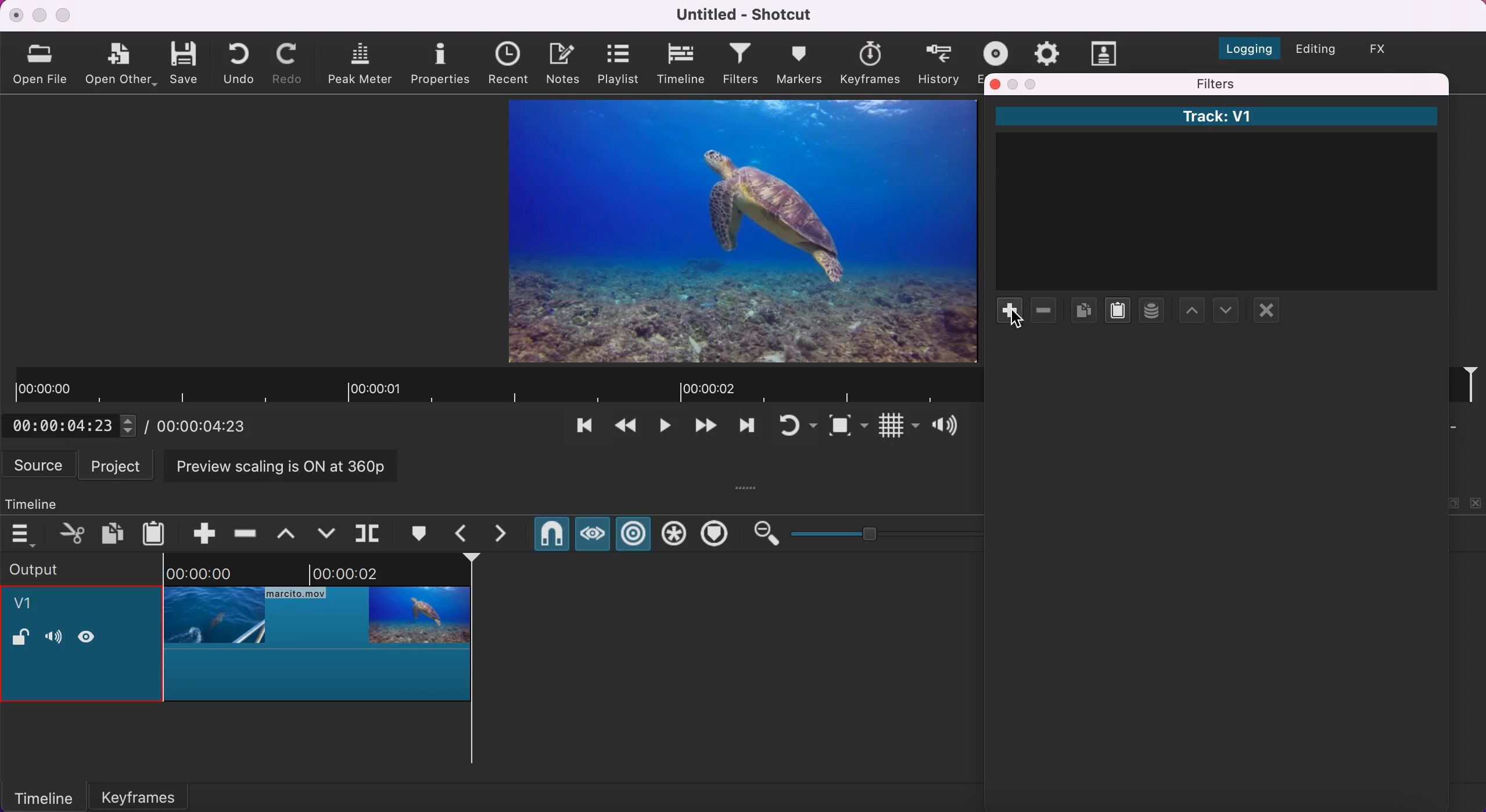  I want to click on zoom graduation, so click(903, 534).